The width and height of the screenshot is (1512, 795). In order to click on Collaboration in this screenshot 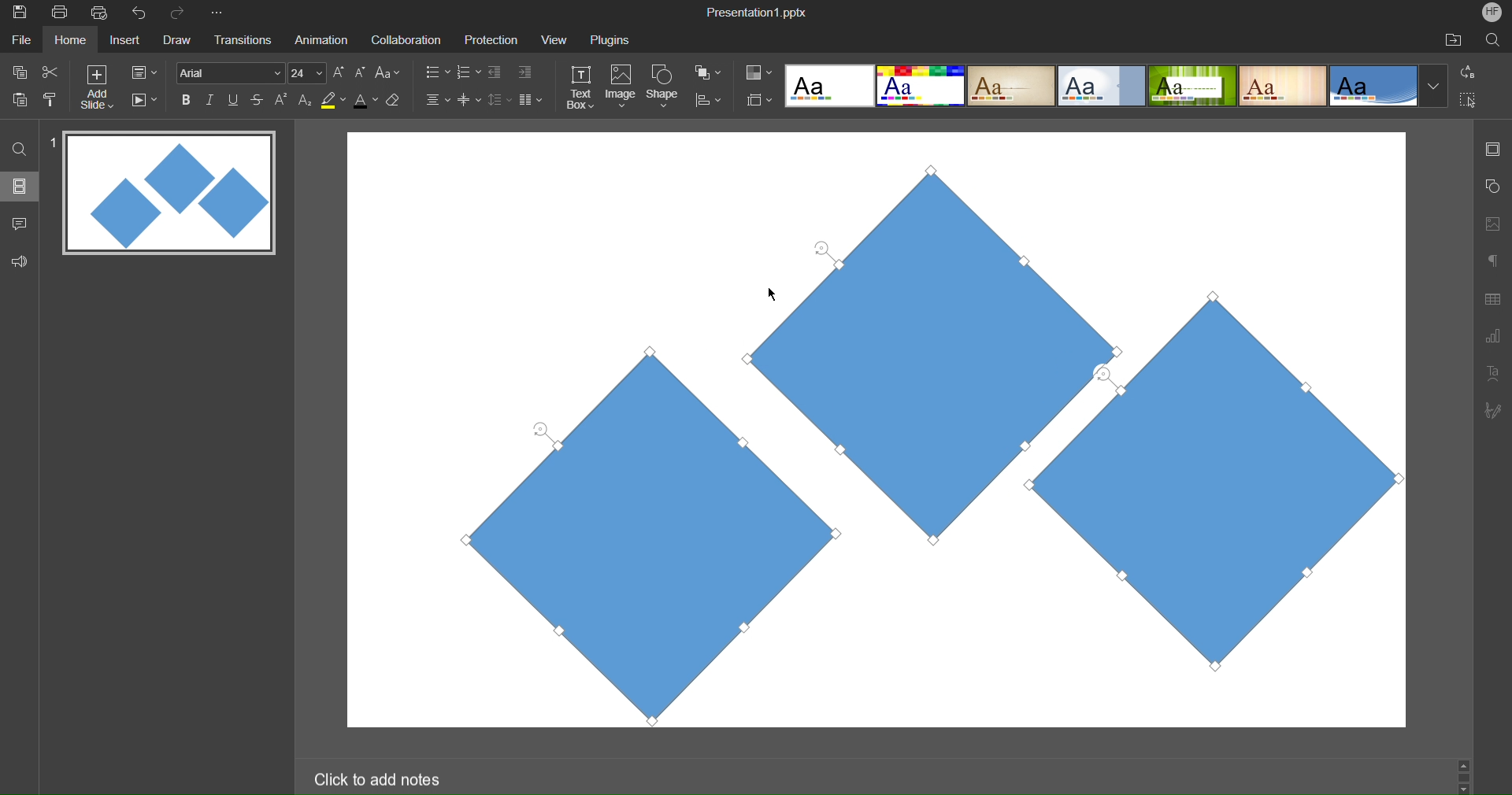, I will do `click(403, 40)`.